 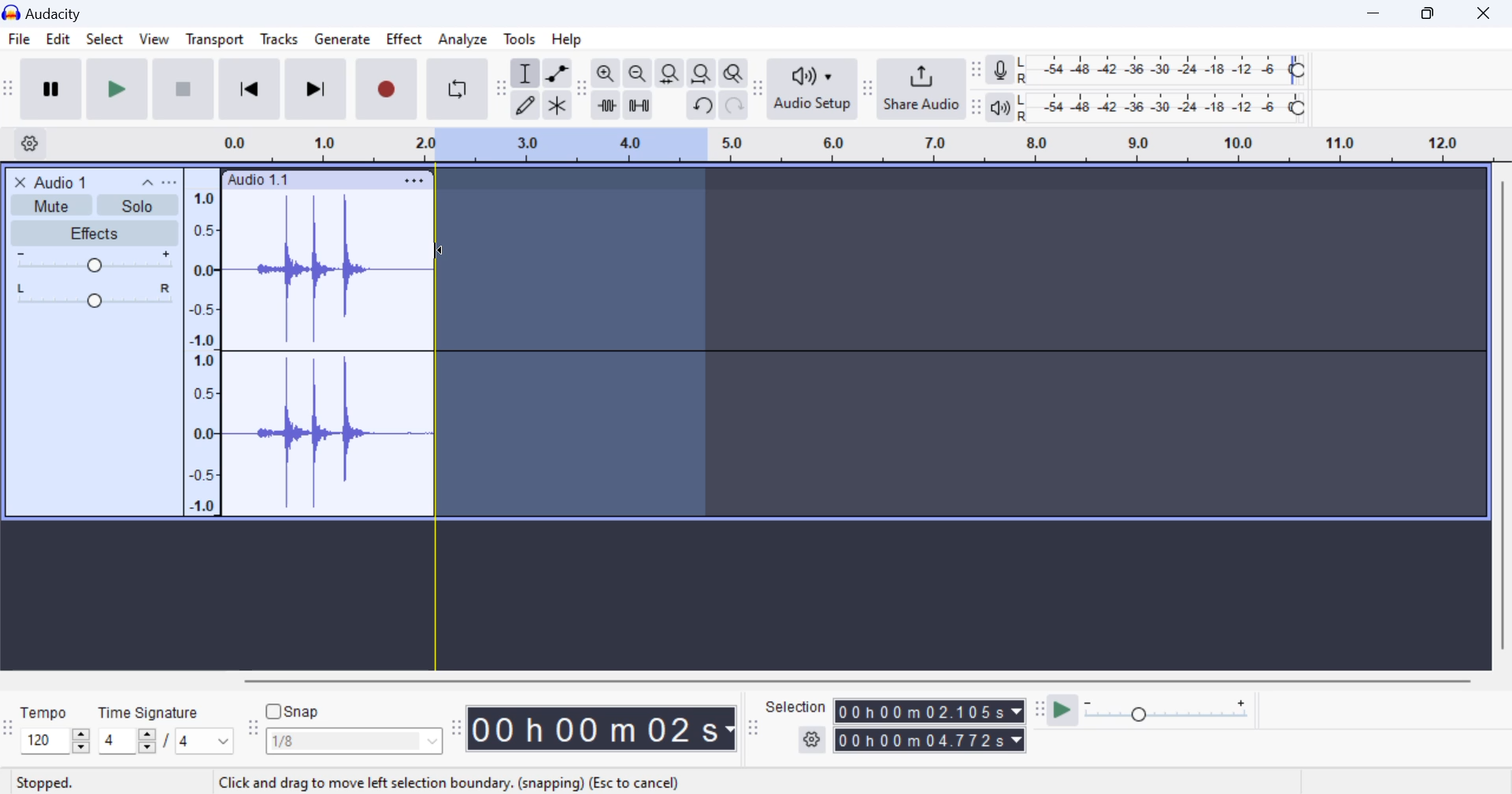 I want to click on Minimize, so click(x=1432, y=12).